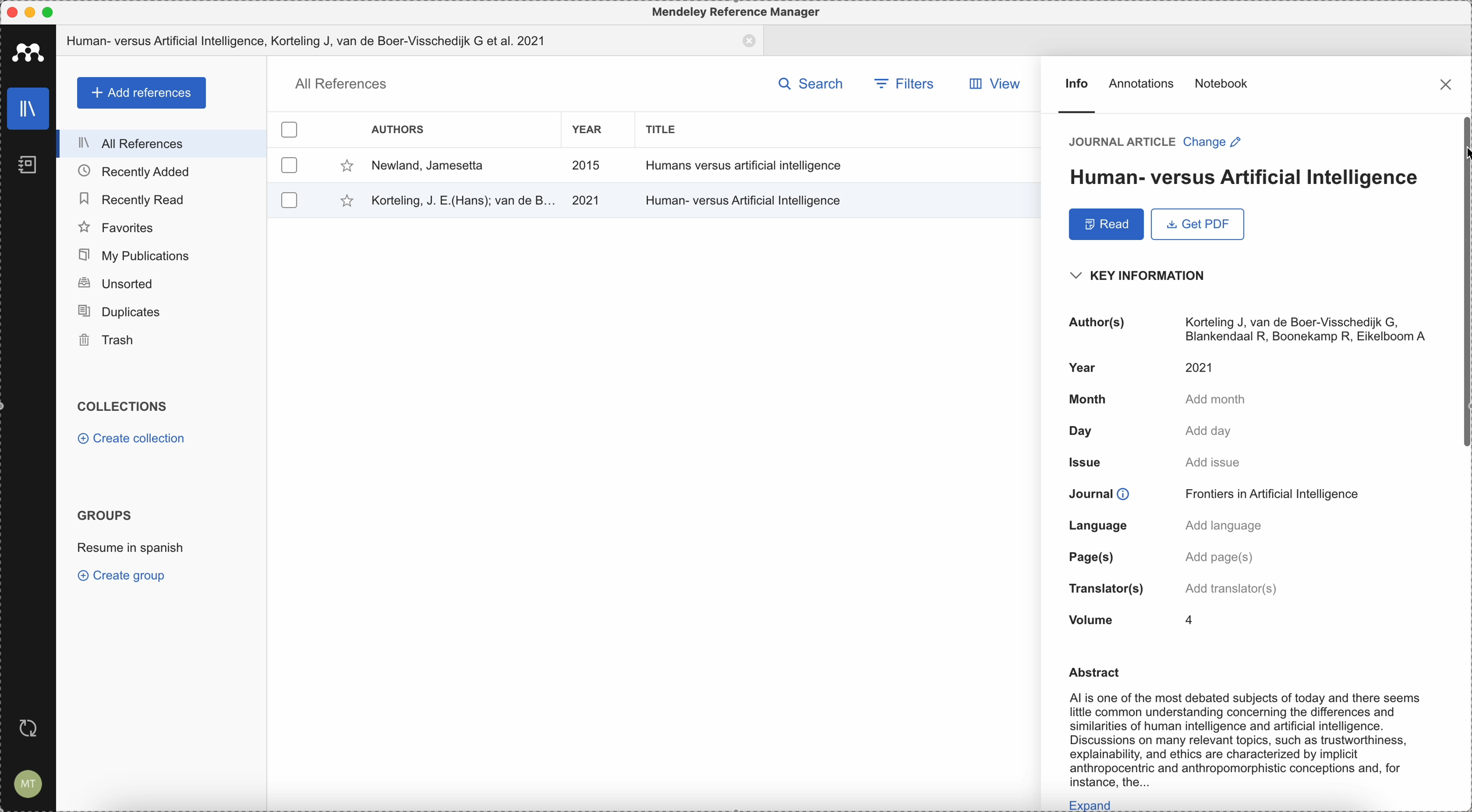 This screenshot has height=812, width=1472. Describe the element at coordinates (410, 41) in the screenshot. I see `Human versus Artificial Intelligence, Korteling J; van de Boer-Vesschedjk et al. 2021` at that location.